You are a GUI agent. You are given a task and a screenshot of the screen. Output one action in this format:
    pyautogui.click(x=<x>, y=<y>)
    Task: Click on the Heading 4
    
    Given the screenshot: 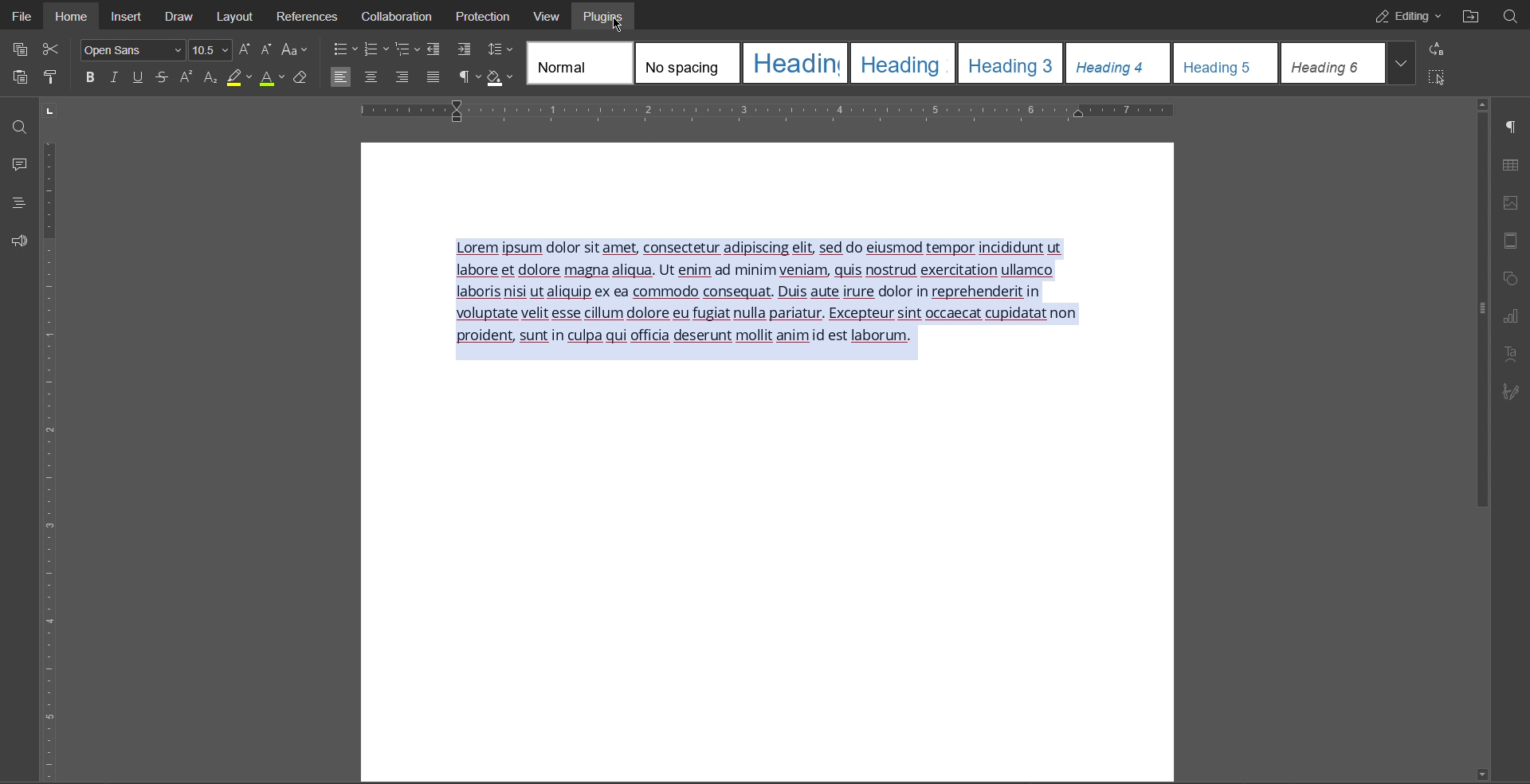 What is the action you would take?
    pyautogui.click(x=1116, y=63)
    